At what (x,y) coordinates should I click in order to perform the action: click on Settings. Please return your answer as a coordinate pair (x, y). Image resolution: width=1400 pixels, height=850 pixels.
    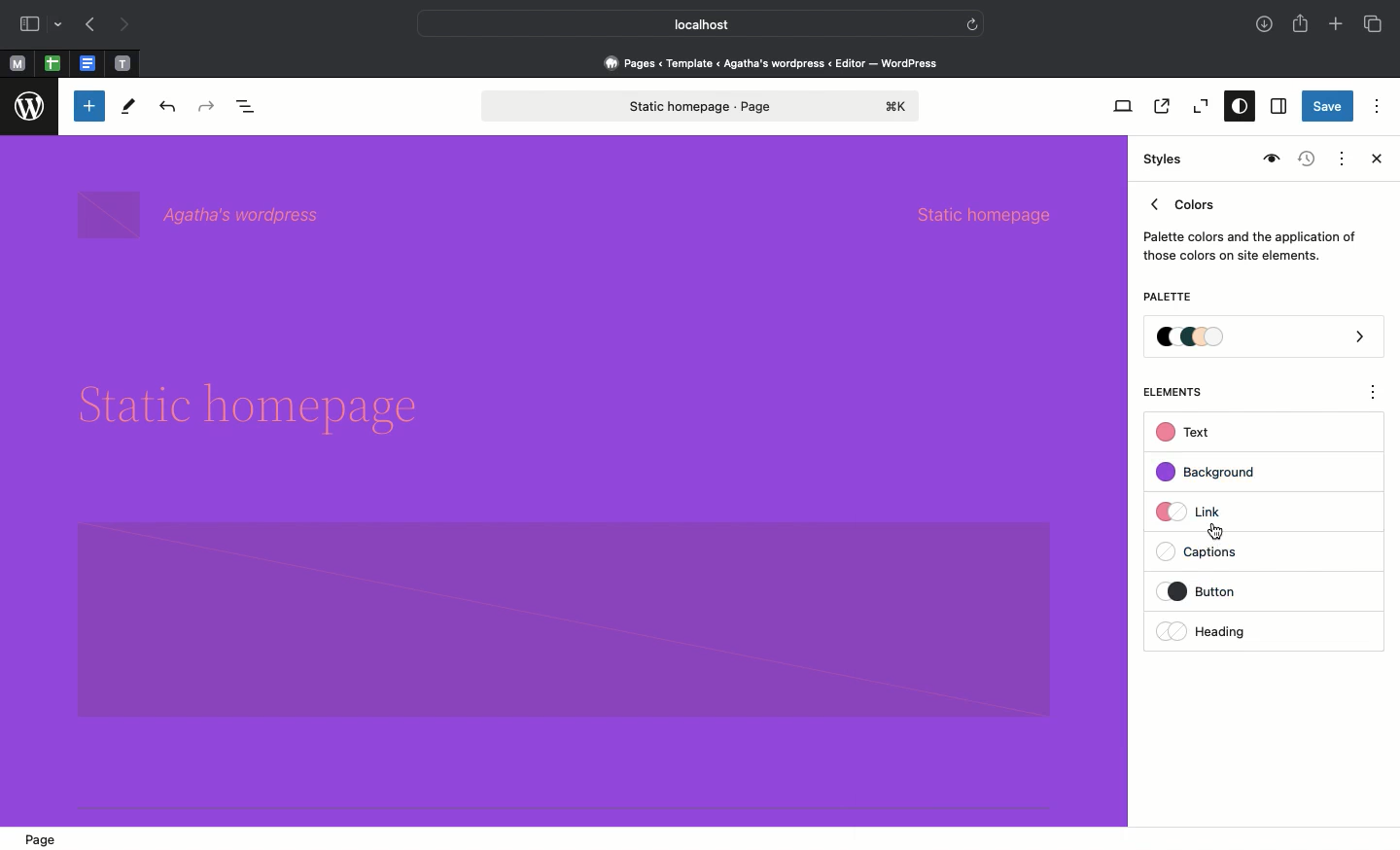
    Looking at the image, I should click on (1277, 107).